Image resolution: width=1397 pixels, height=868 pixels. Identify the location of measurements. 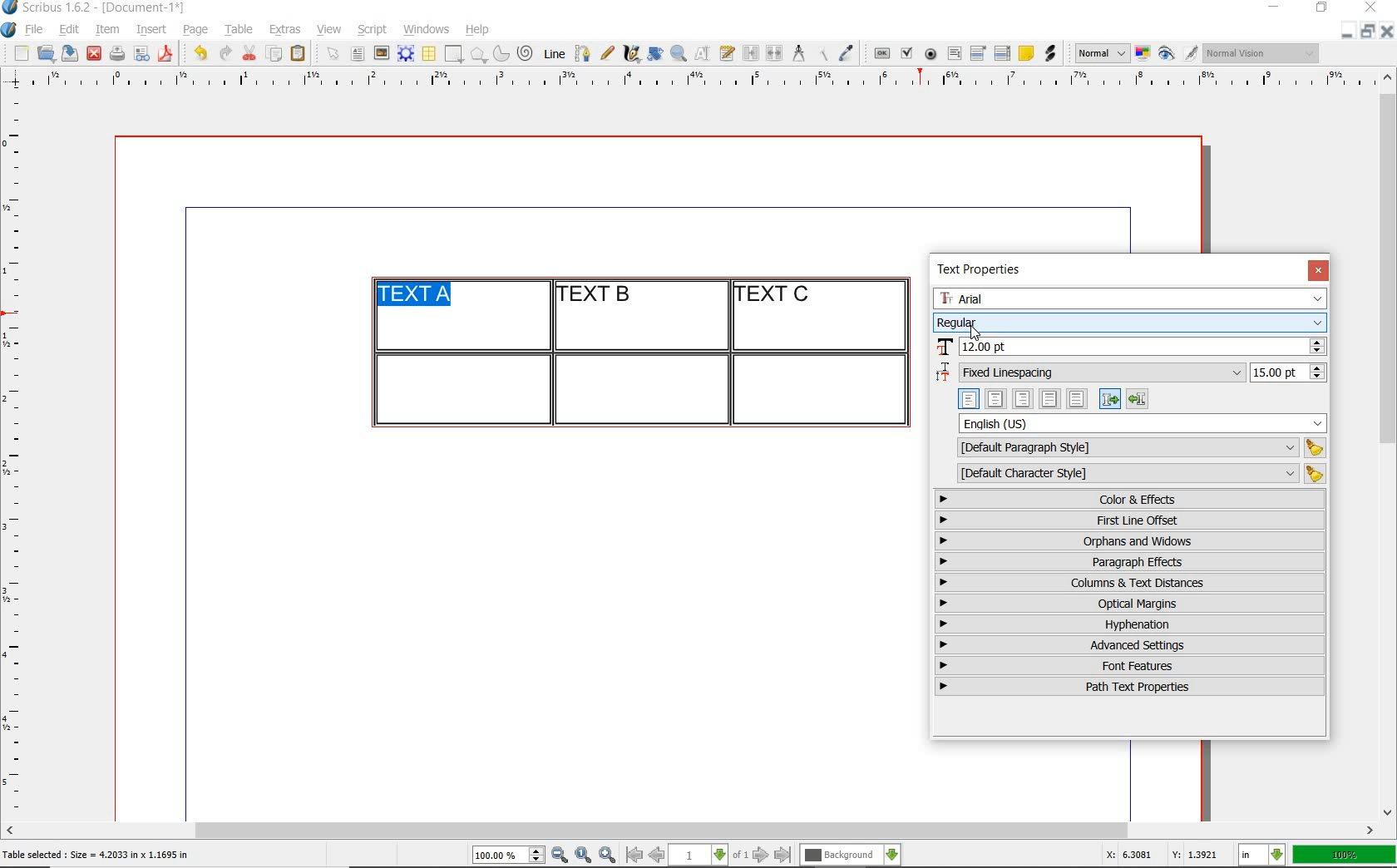
(798, 54).